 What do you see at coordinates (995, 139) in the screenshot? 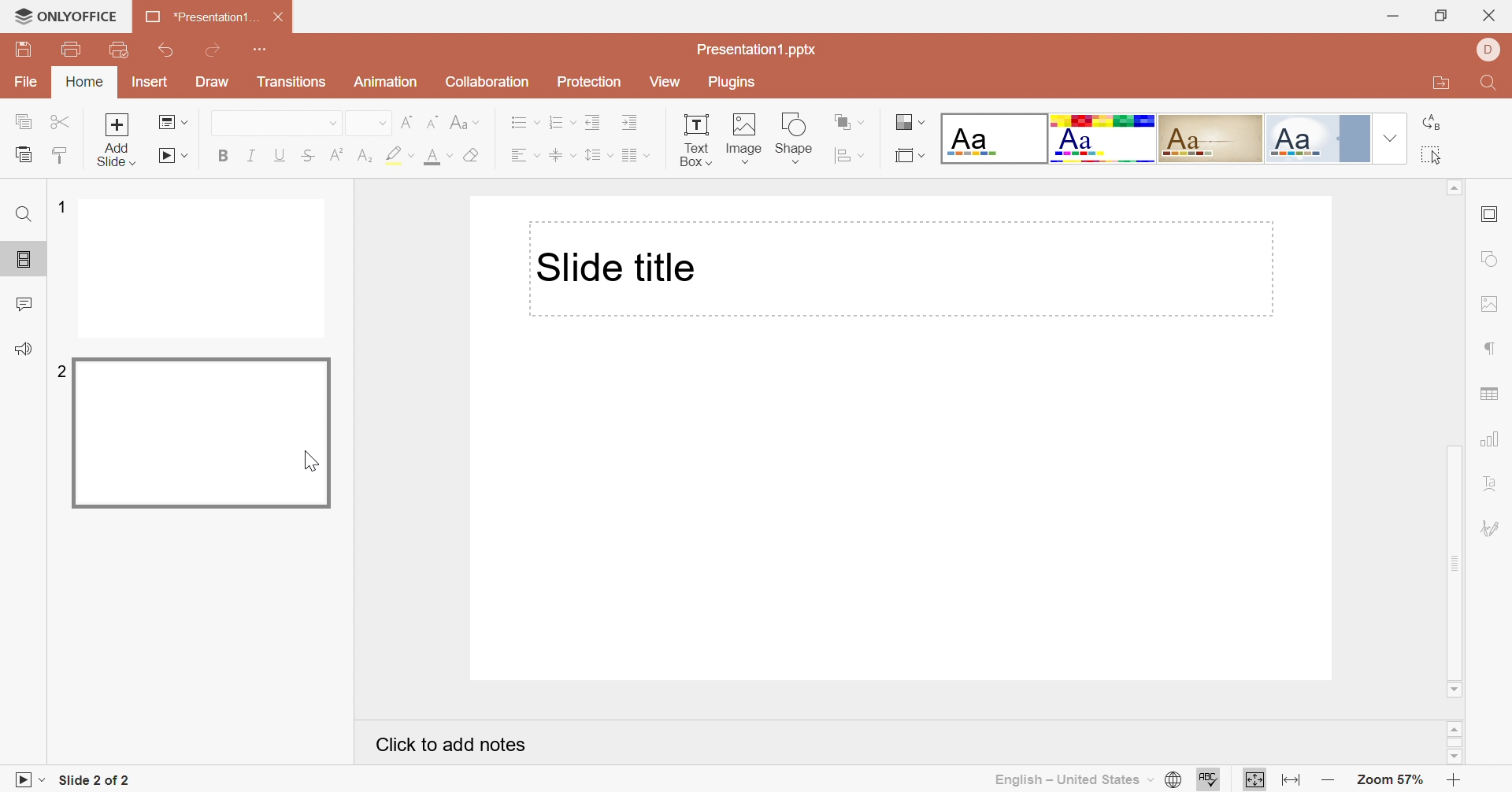
I see `Blank` at bounding box center [995, 139].